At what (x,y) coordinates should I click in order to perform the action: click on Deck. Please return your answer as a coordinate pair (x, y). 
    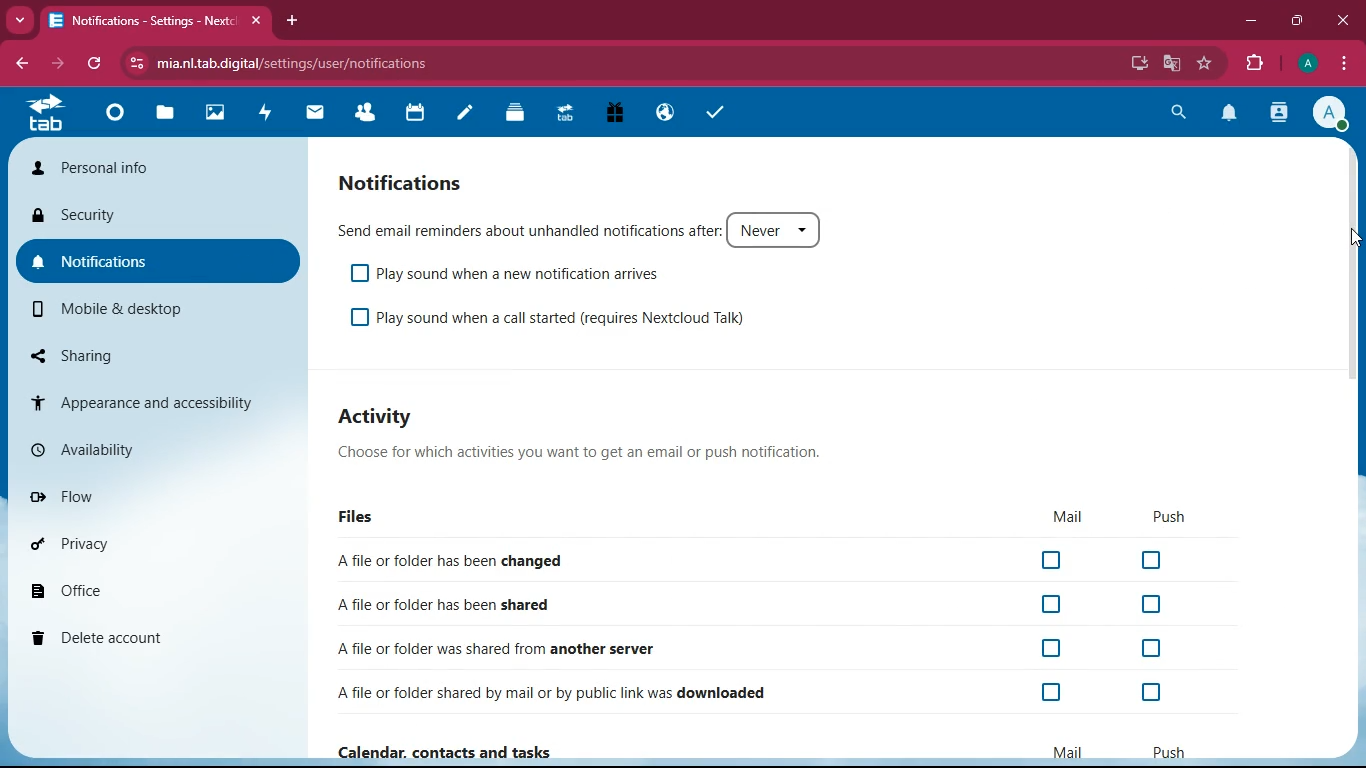
    Looking at the image, I should click on (517, 115).